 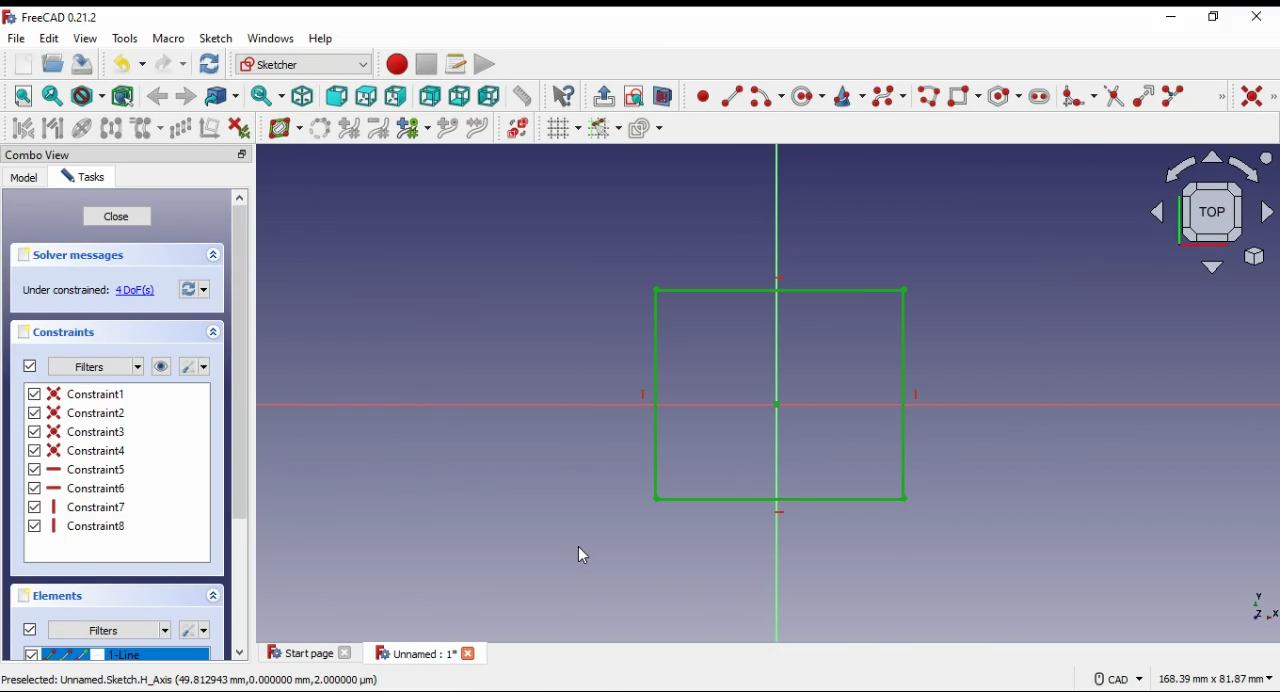 I want to click on model, so click(x=24, y=177).